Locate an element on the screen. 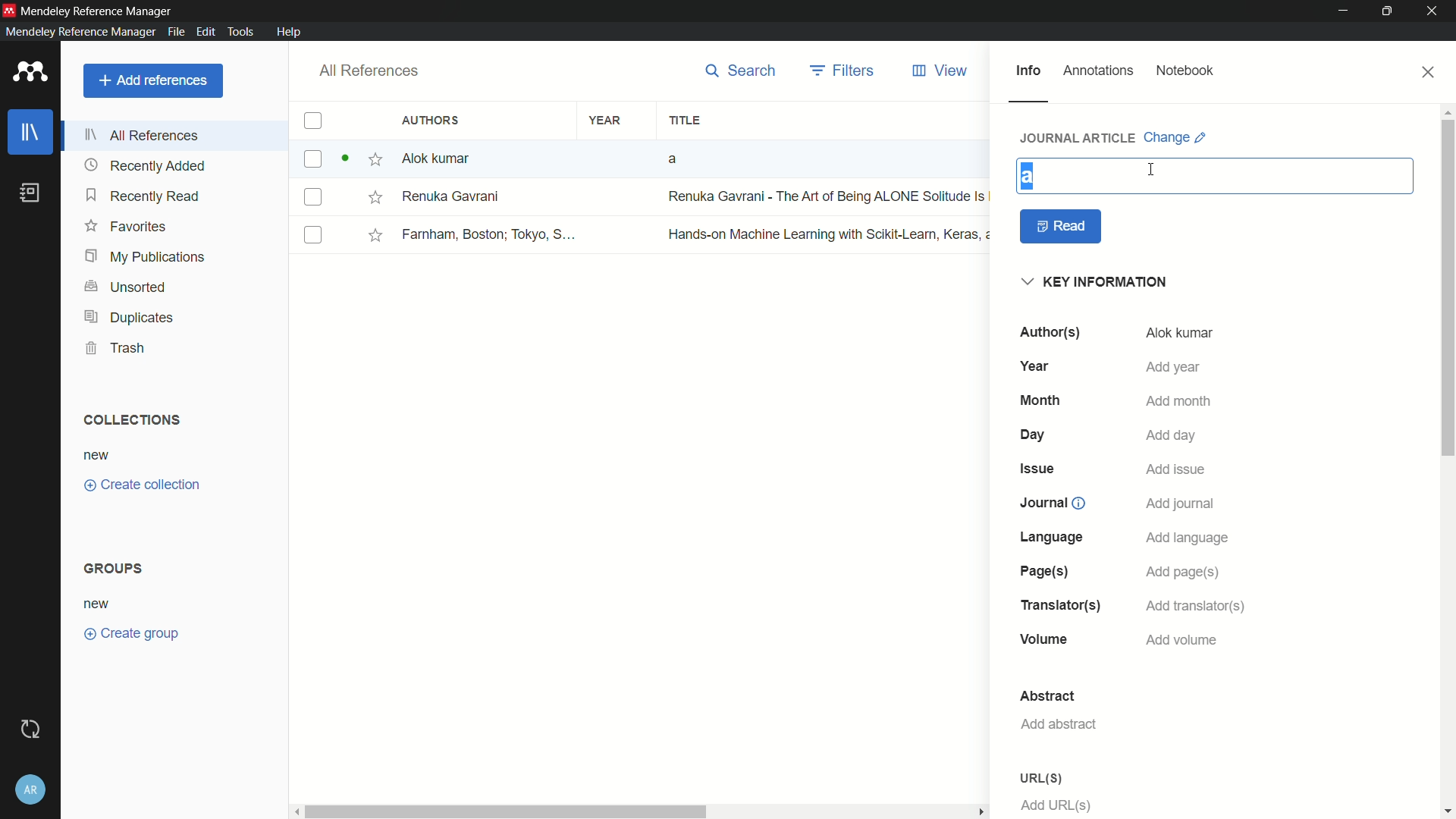  add url is located at coordinates (1057, 805).